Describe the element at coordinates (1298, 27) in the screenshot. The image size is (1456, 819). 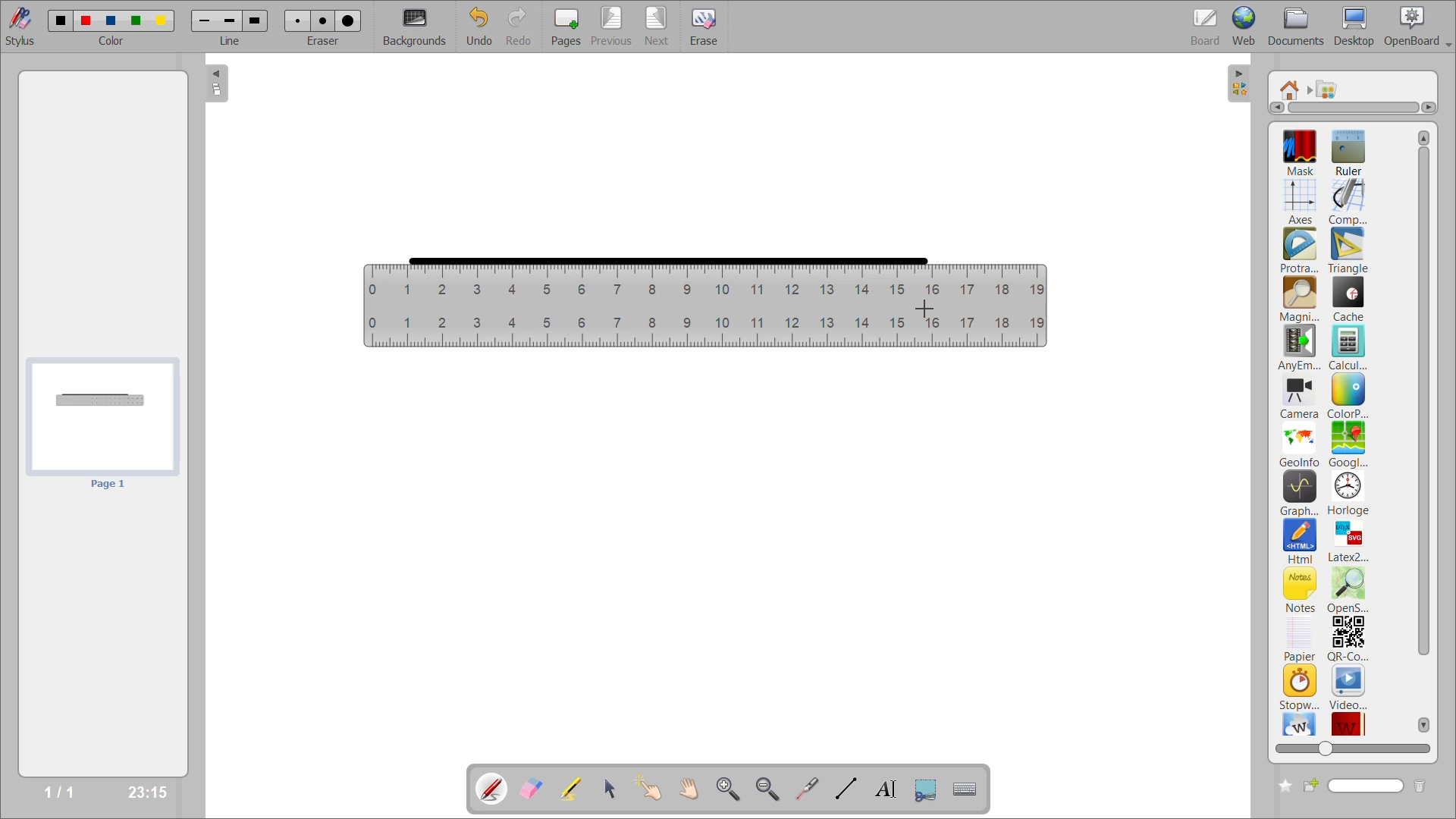
I see `documents` at that location.